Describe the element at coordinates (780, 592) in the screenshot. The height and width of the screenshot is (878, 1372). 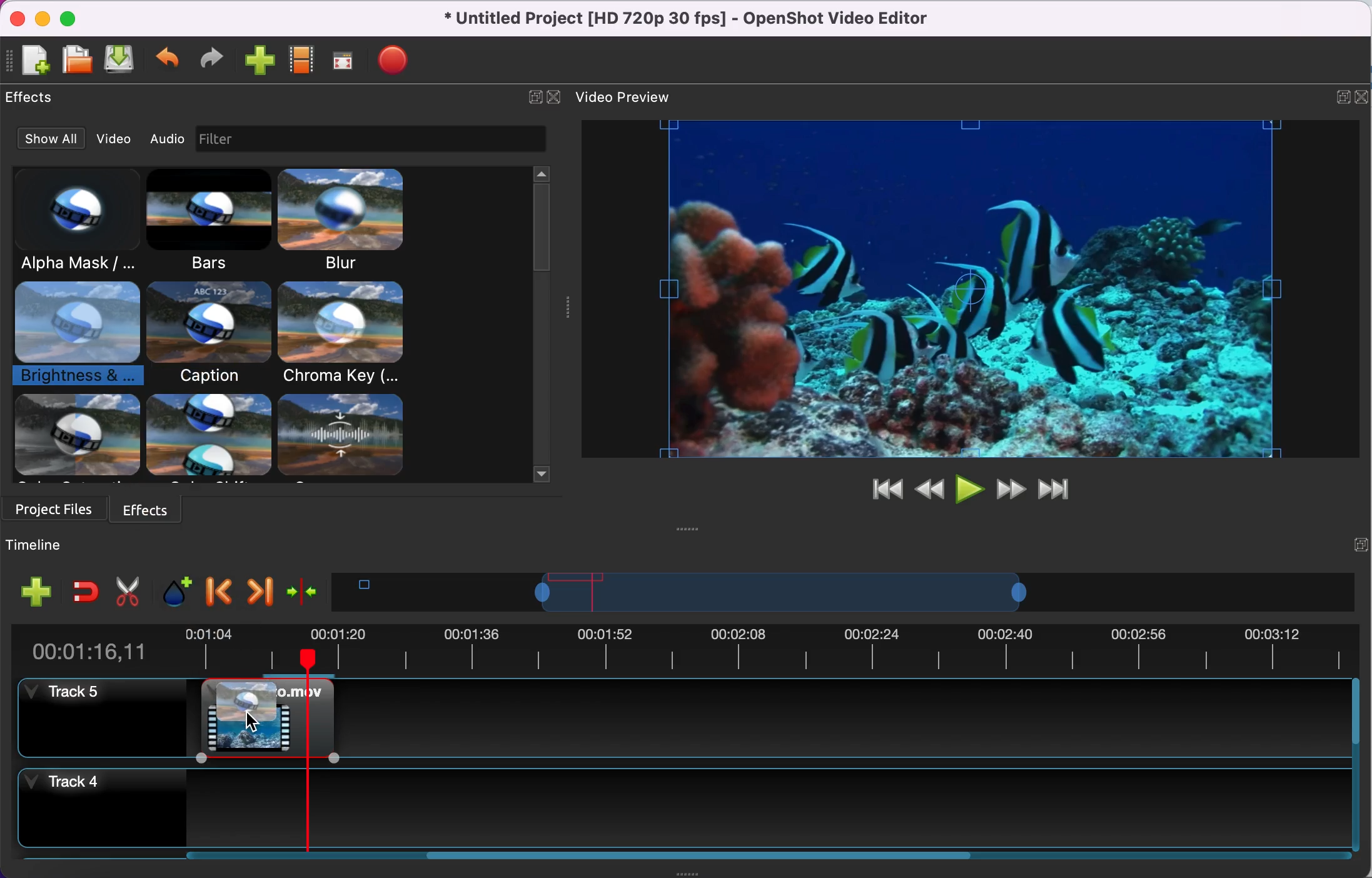
I see `timeline` at that location.